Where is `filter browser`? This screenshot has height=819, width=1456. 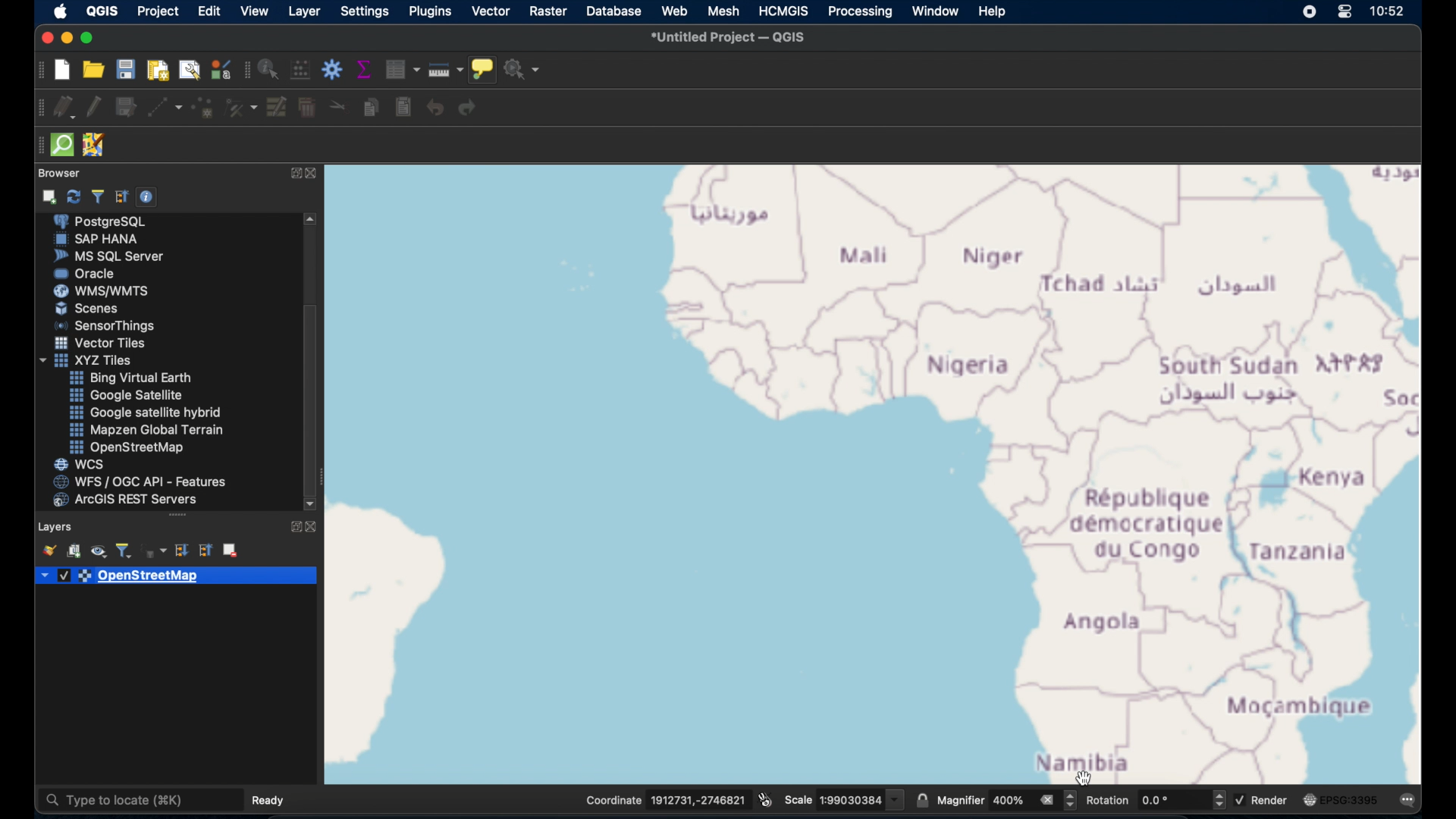 filter browser is located at coordinates (96, 197).